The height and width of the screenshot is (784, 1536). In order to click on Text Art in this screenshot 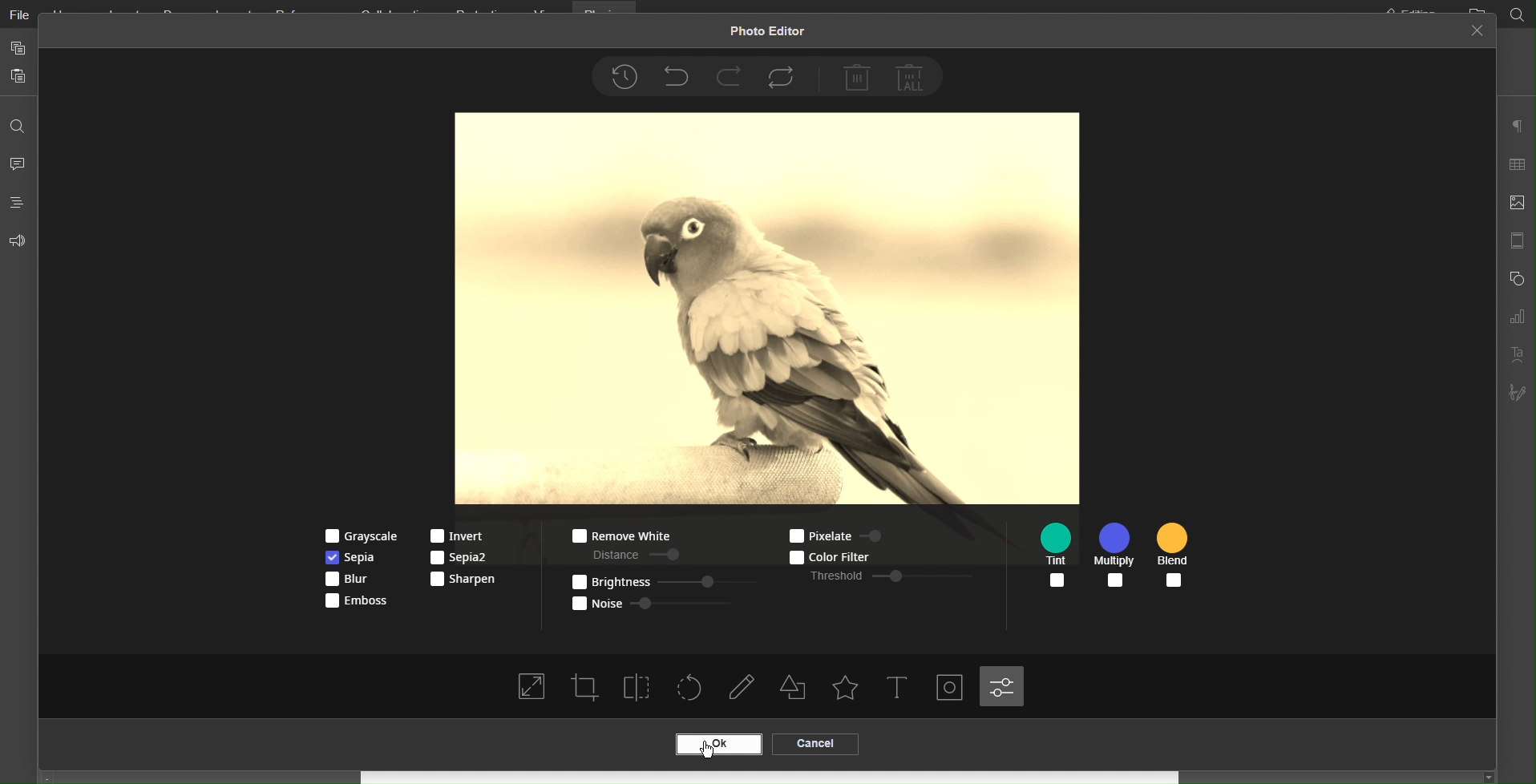, I will do `click(1515, 355)`.